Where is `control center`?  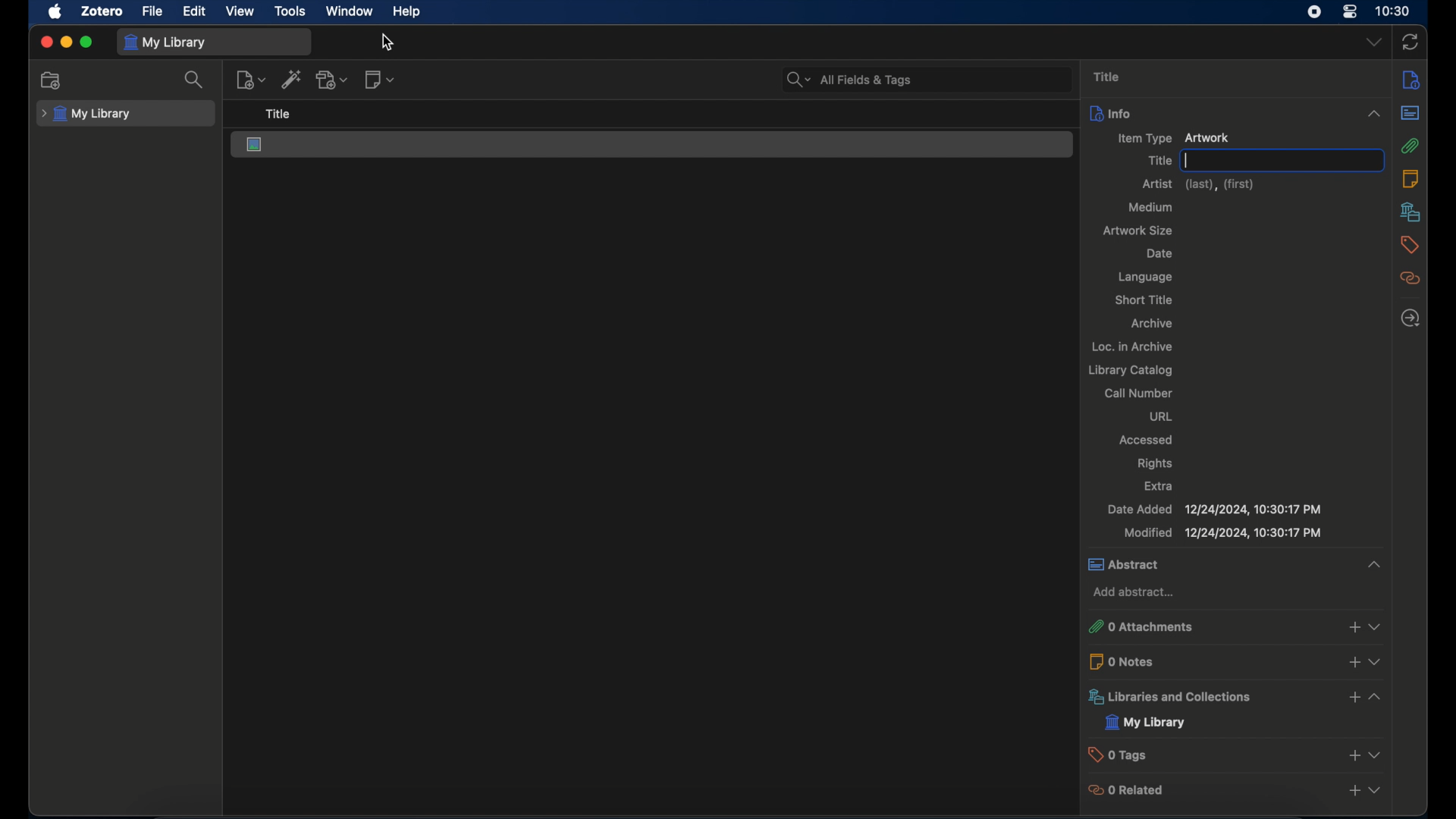
control center is located at coordinates (1350, 12).